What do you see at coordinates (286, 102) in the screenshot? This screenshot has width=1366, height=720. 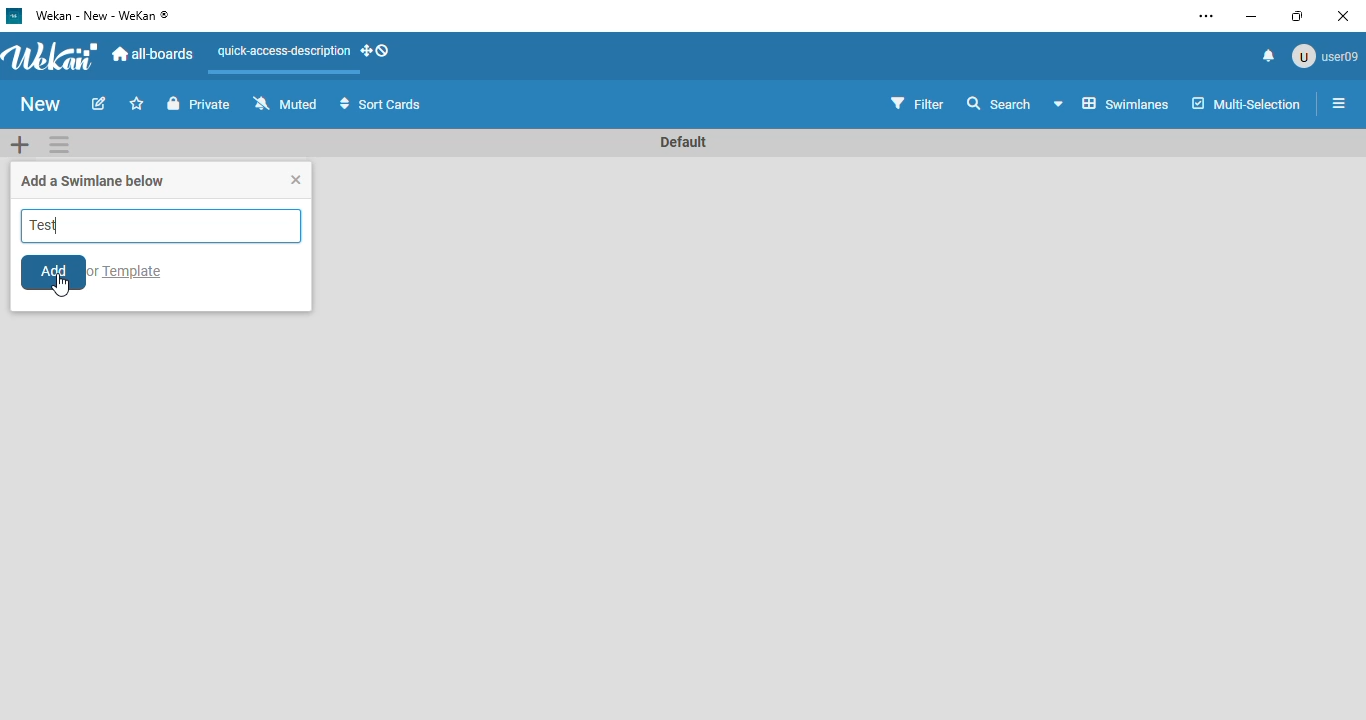 I see `muted` at bounding box center [286, 102].